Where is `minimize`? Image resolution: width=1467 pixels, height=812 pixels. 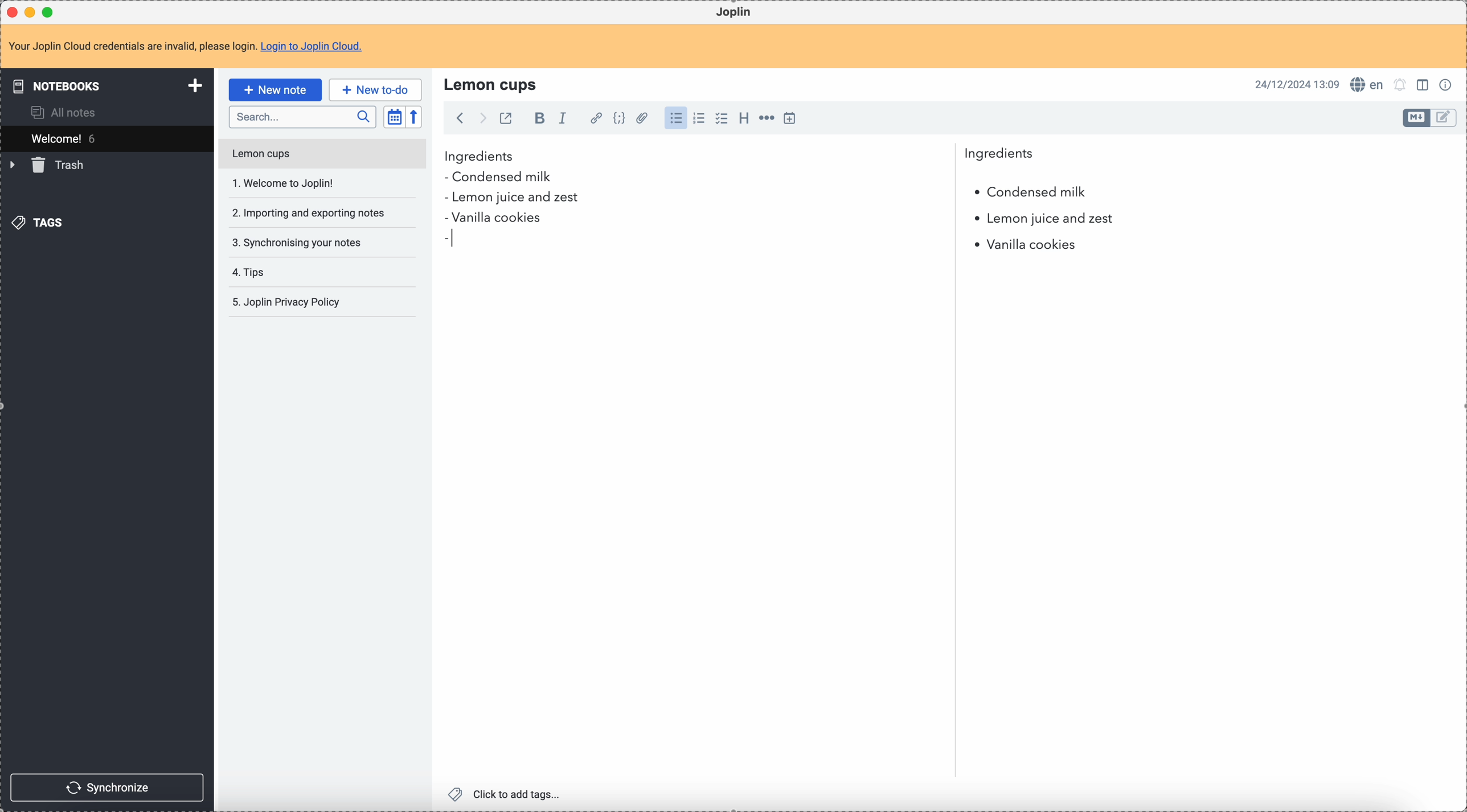 minimize is located at coordinates (32, 13).